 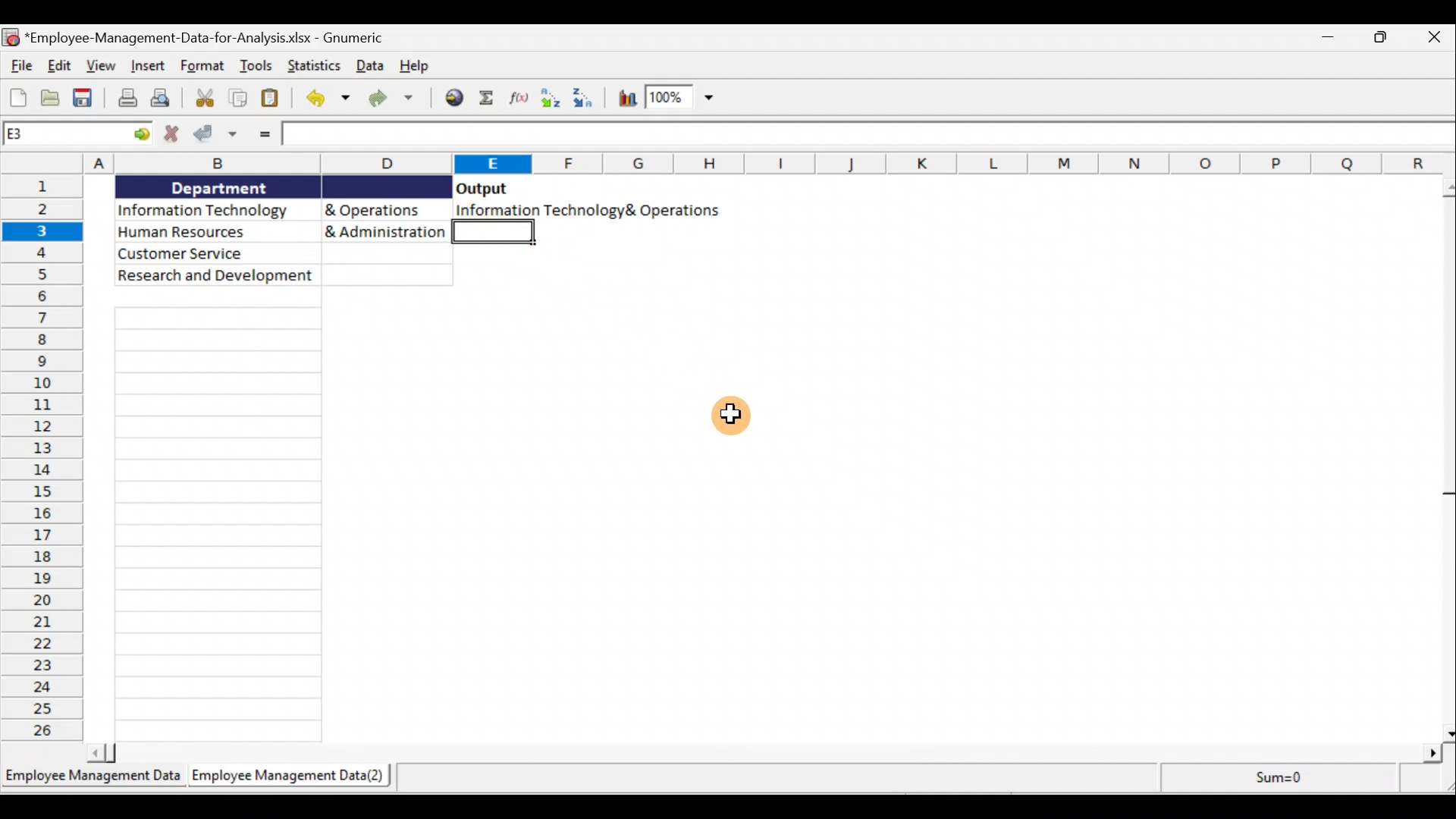 What do you see at coordinates (202, 66) in the screenshot?
I see `Format` at bounding box center [202, 66].